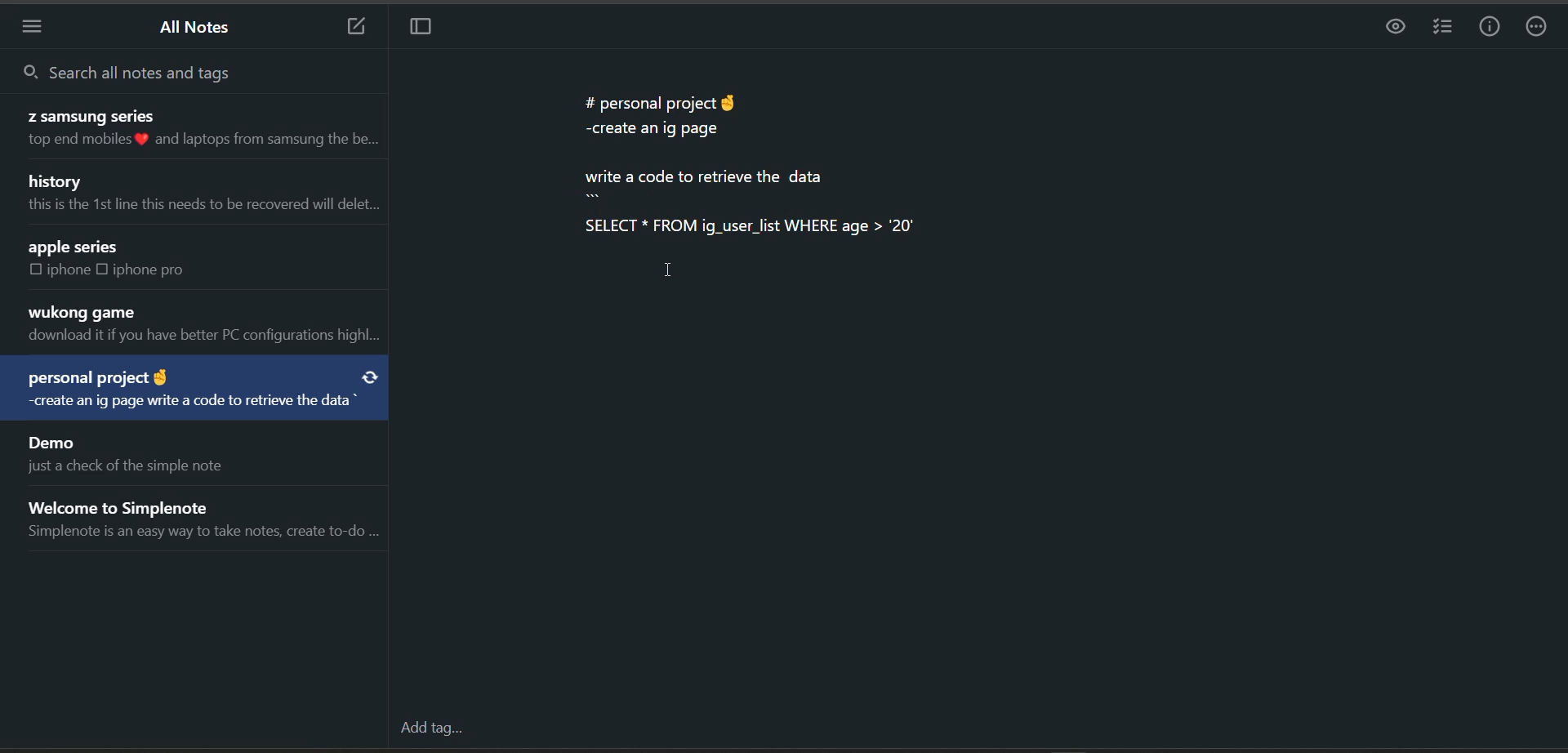  I want to click on info, so click(1490, 27).